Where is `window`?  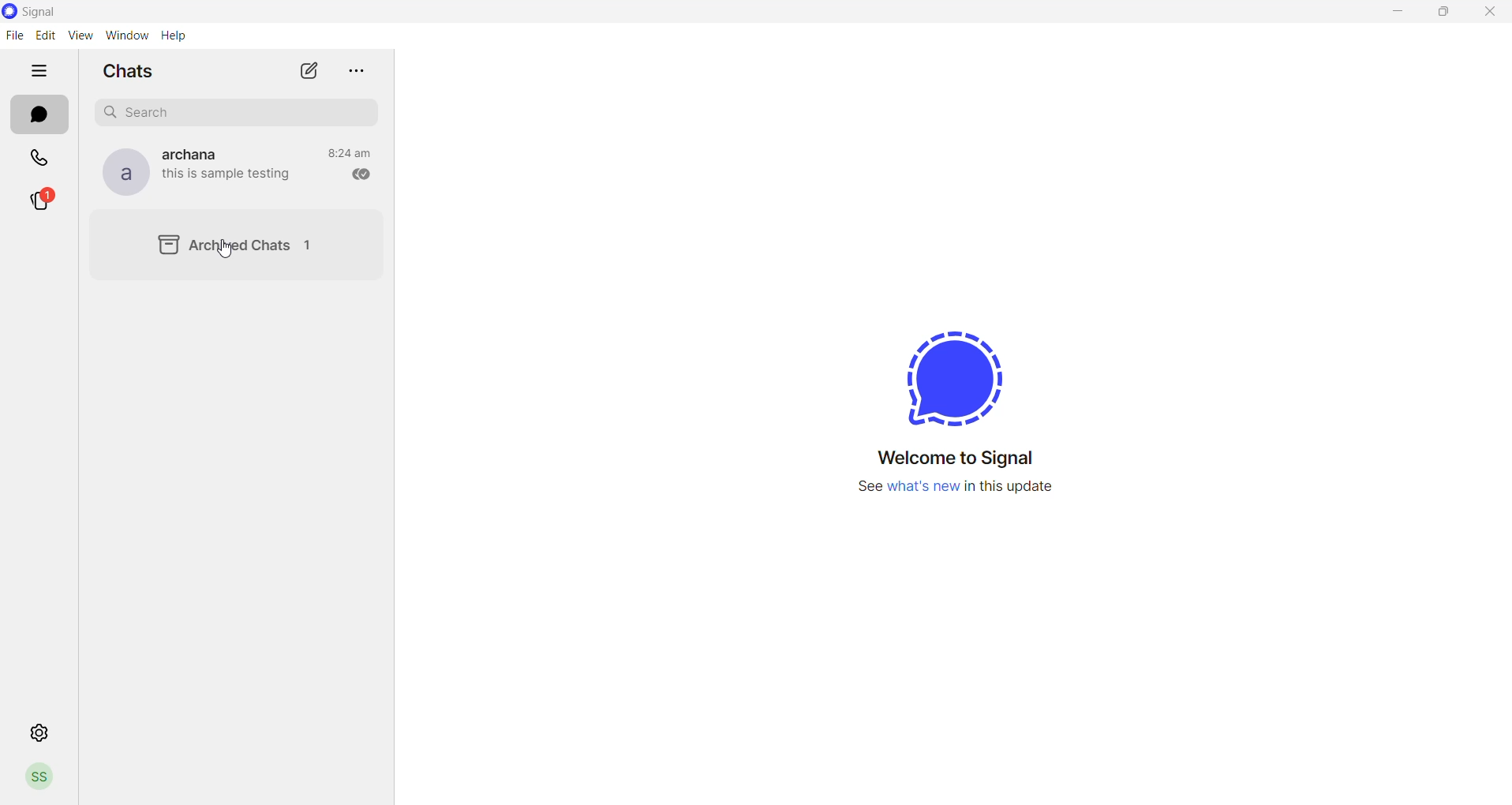
window is located at coordinates (125, 35).